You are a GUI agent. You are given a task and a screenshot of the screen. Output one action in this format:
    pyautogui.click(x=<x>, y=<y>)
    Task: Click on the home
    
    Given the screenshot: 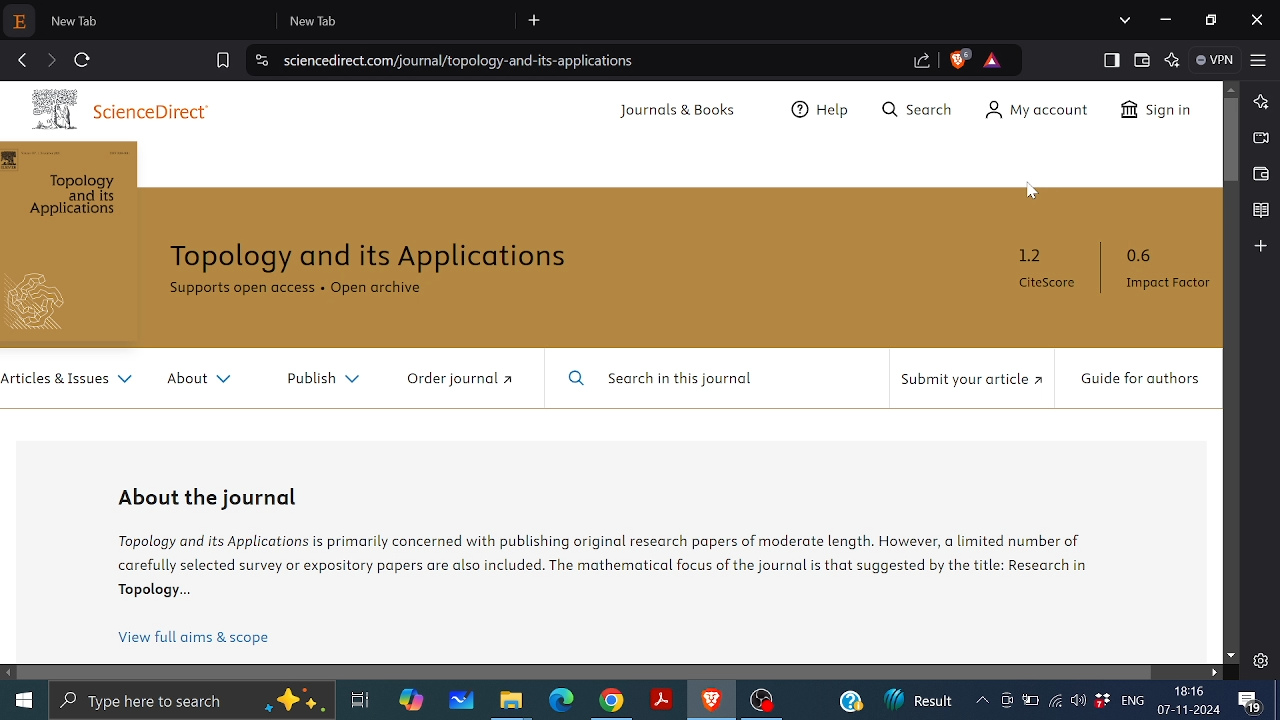 What is the action you would take?
    pyautogui.click(x=24, y=699)
    